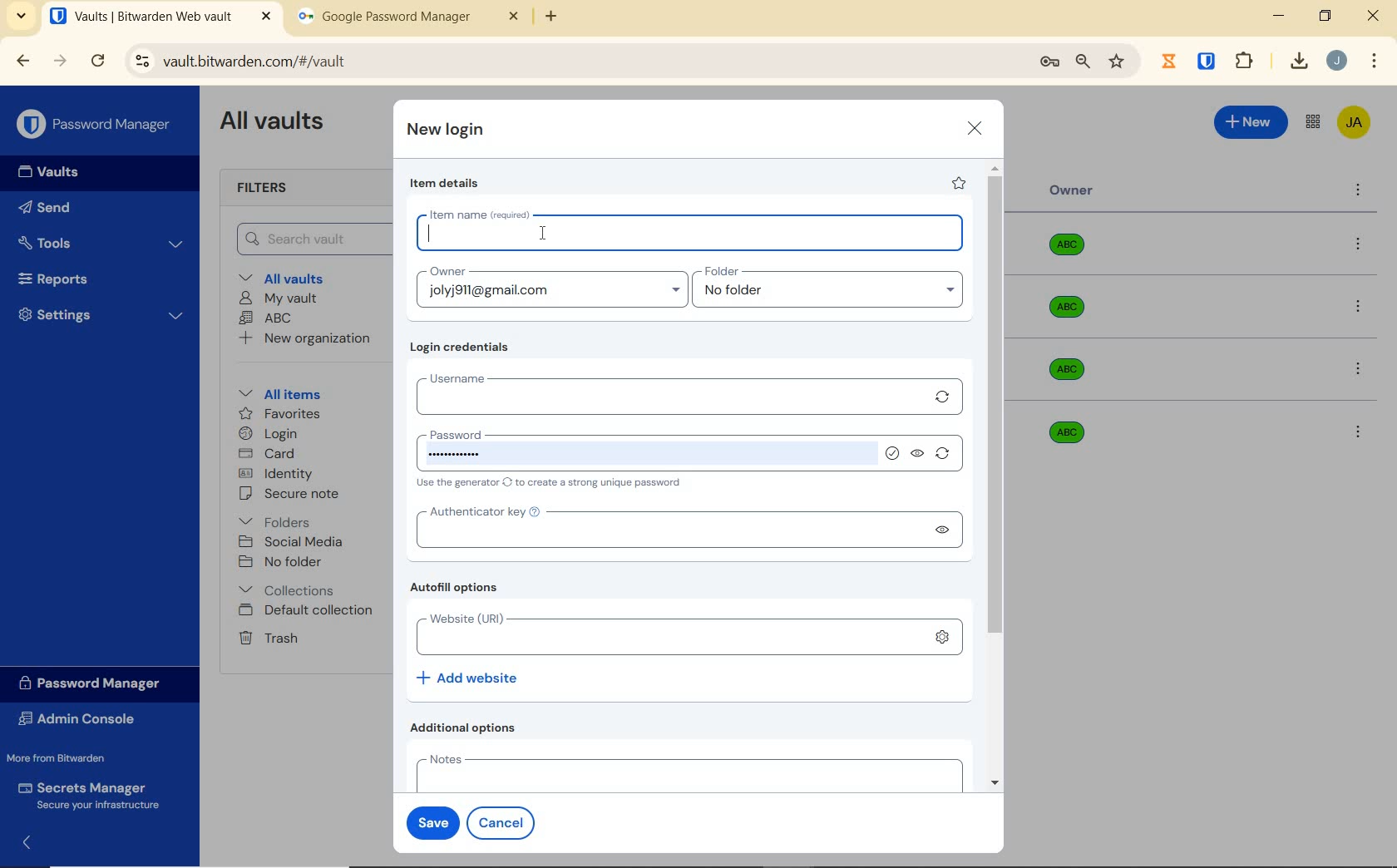 The image size is (1397, 868). What do you see at coordinates (1251, 120) in the screenshot?
I see `New` at bounding box center [1251, 120].